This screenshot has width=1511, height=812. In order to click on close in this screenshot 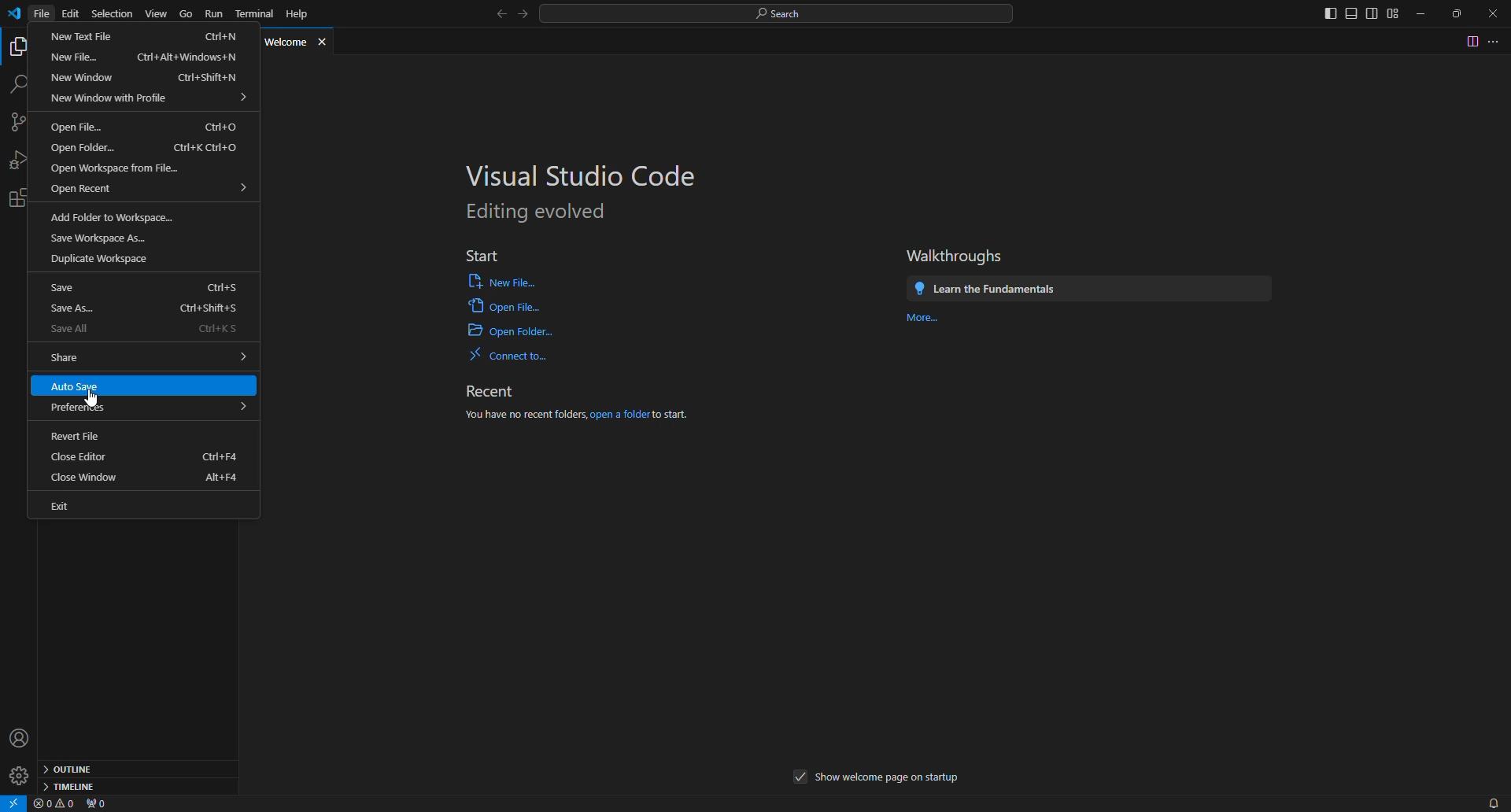, I will do `click(325, 43)`.